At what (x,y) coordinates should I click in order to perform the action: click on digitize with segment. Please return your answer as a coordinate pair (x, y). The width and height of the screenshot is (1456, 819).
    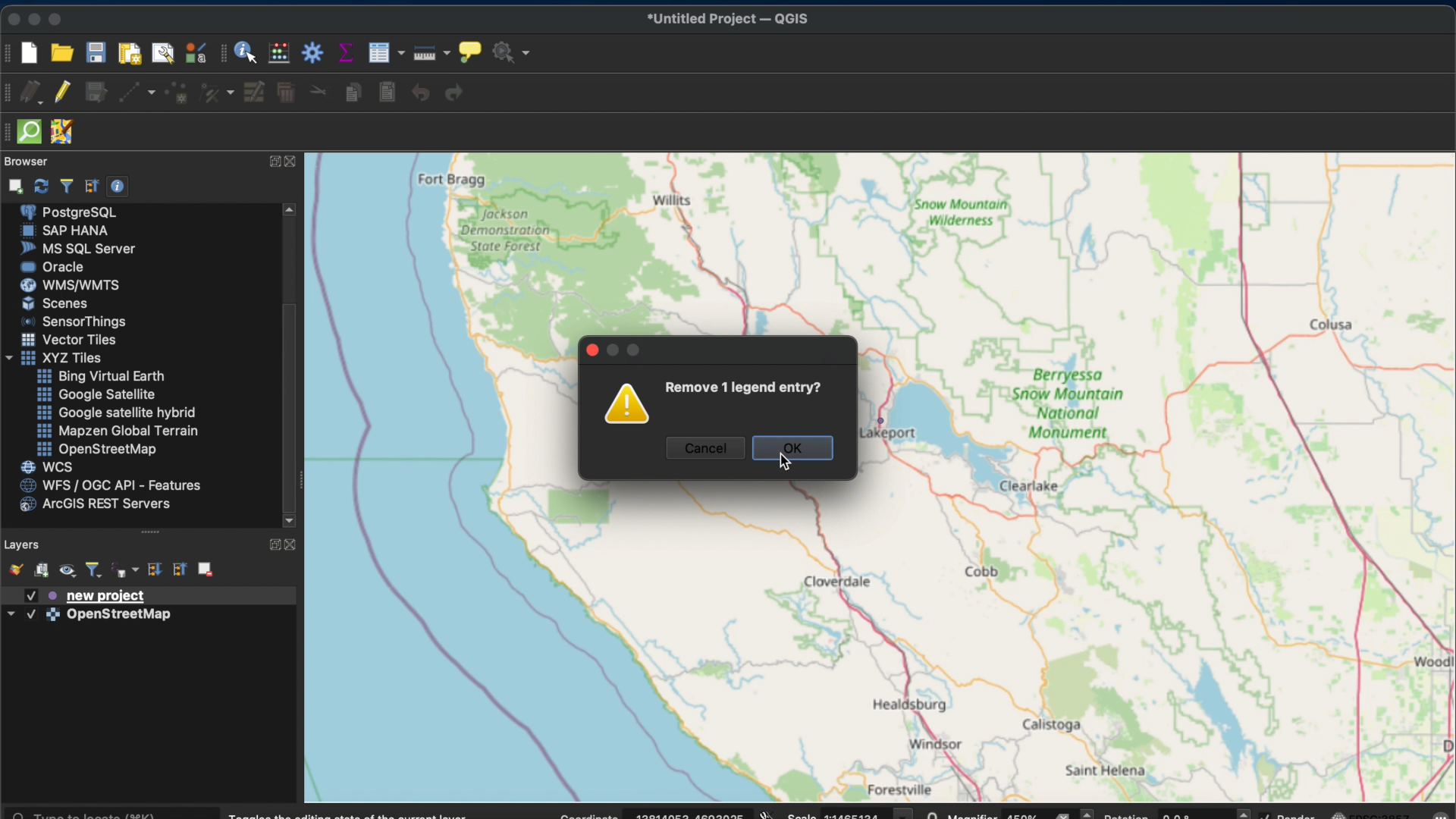
    Looking at the image, I should click on (134, 93).